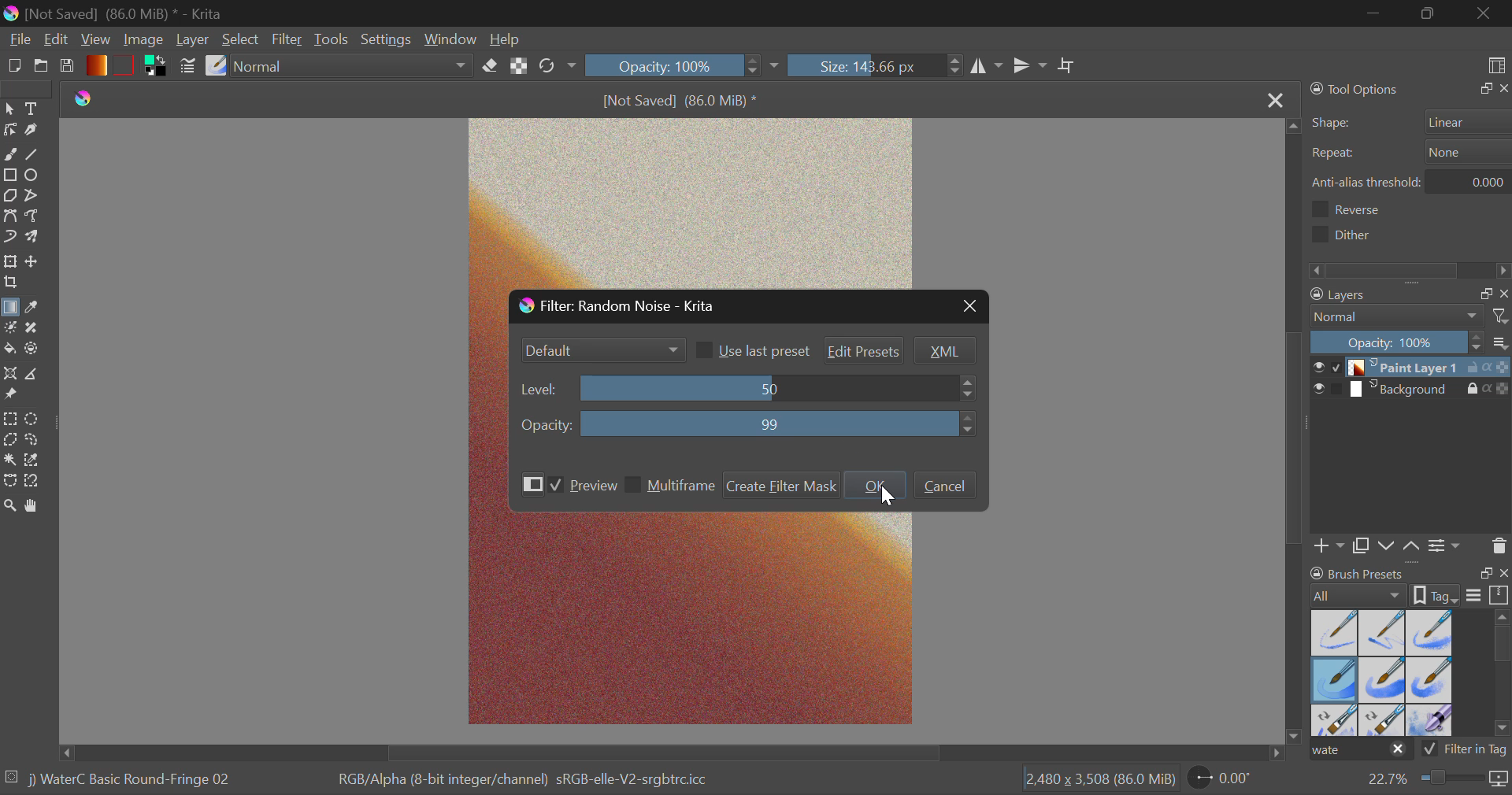 Image resolution: width=1512 pixels, height=795 pixels. Describe the element at coordinates (68, 66) in the screenshot. I see `Save` at that location.